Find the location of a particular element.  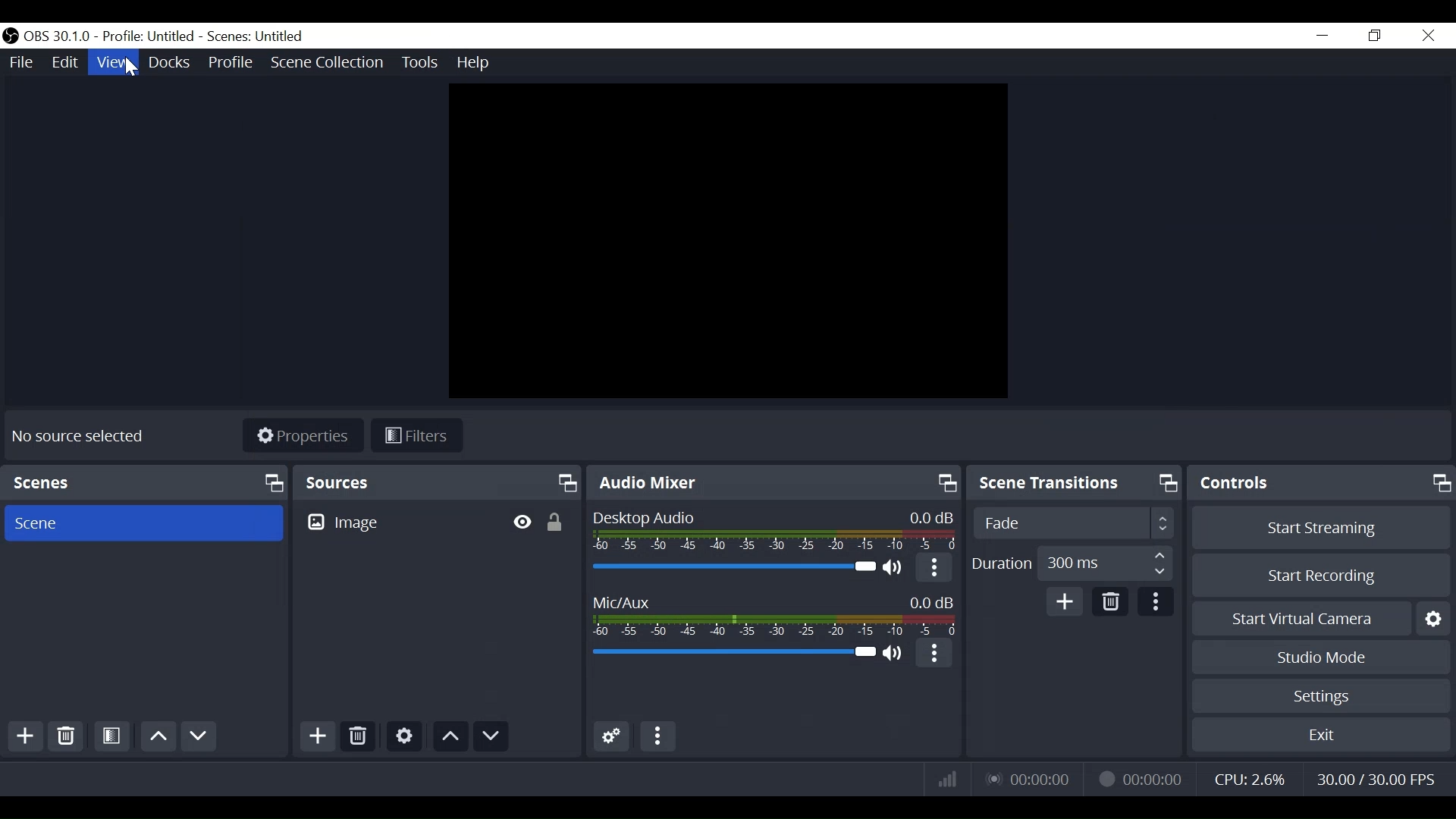

(un)mute is located at coordinates (894, 657).